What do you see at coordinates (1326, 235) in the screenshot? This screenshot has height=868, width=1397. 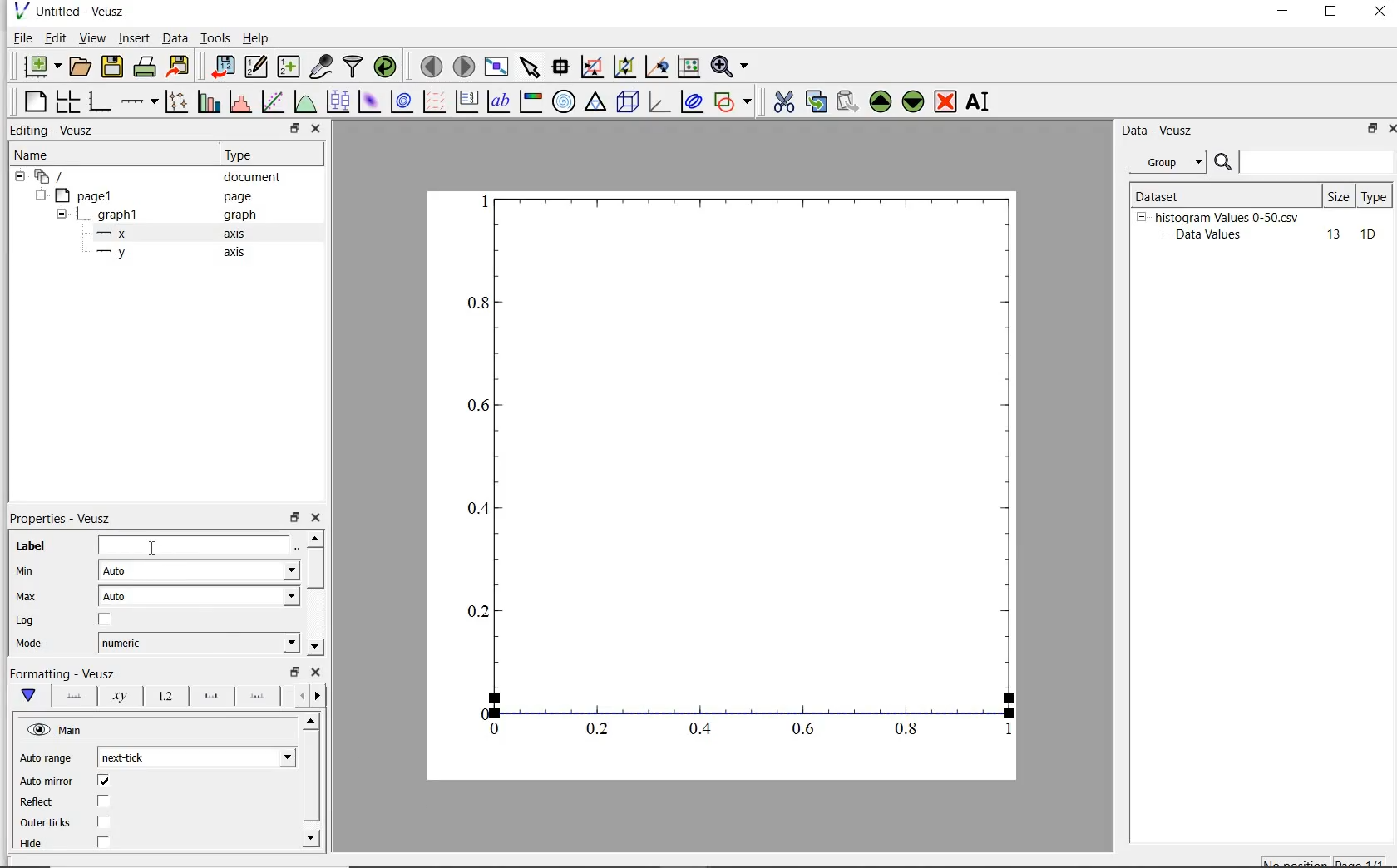 I see `13` at bounding box center [1326, 235].